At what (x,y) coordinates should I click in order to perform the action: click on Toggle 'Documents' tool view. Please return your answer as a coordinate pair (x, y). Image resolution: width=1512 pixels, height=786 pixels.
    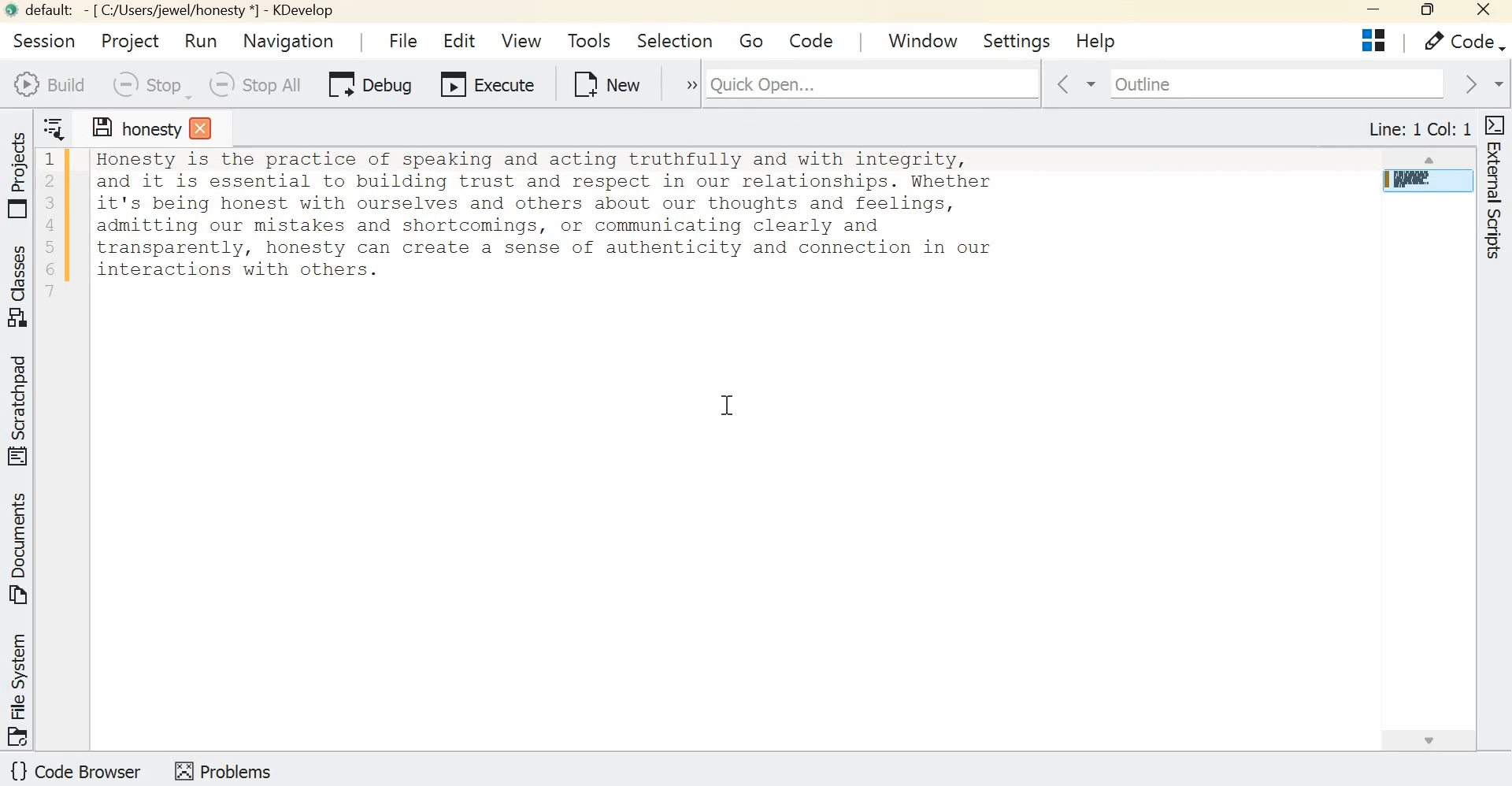
    Looking at the image, I should click on (21, 550).